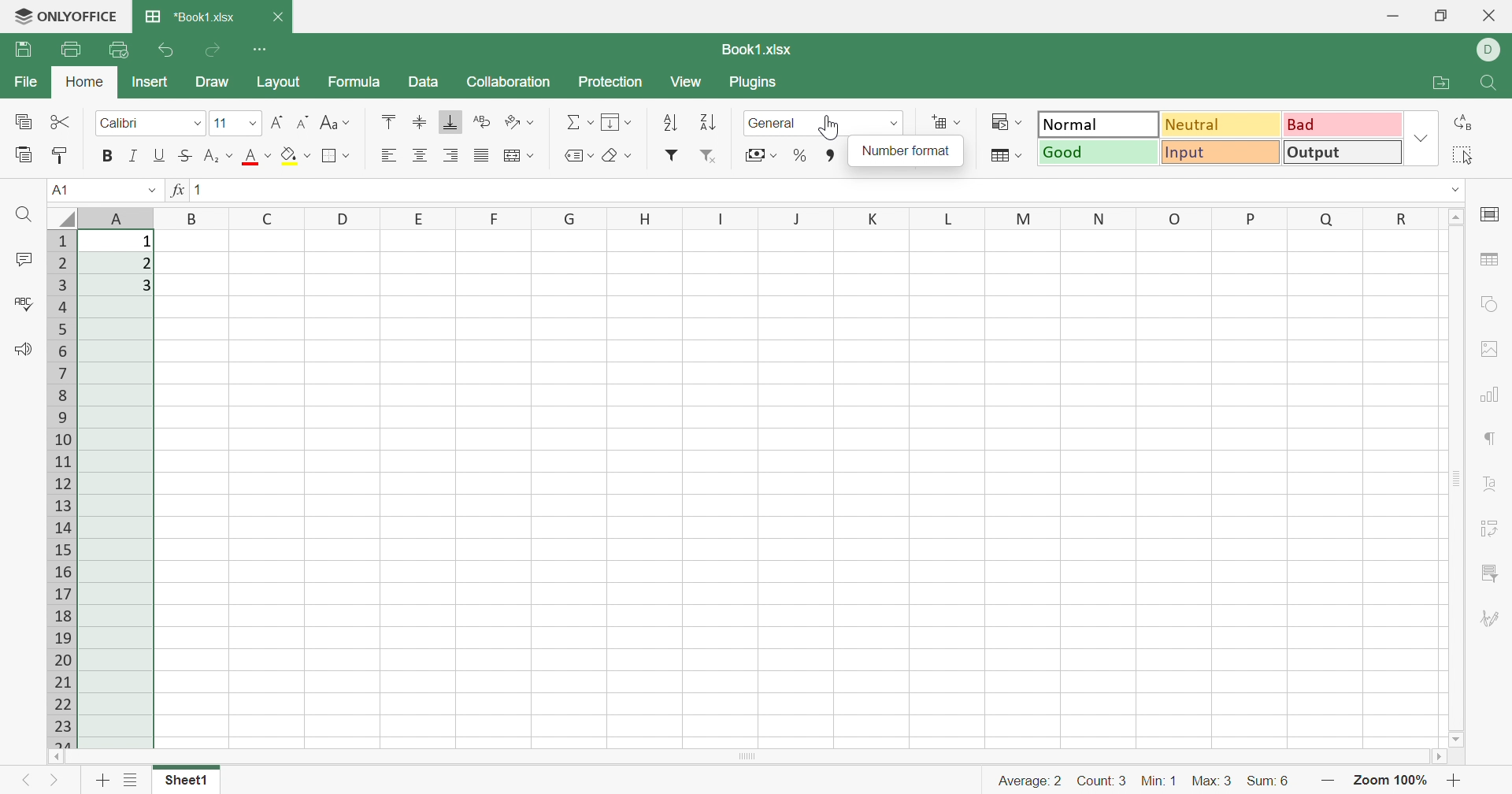  What do you see at coordinates (1327, 782) in the screenshot?
I see `Zoom in` at bounding box center [1327, 782].